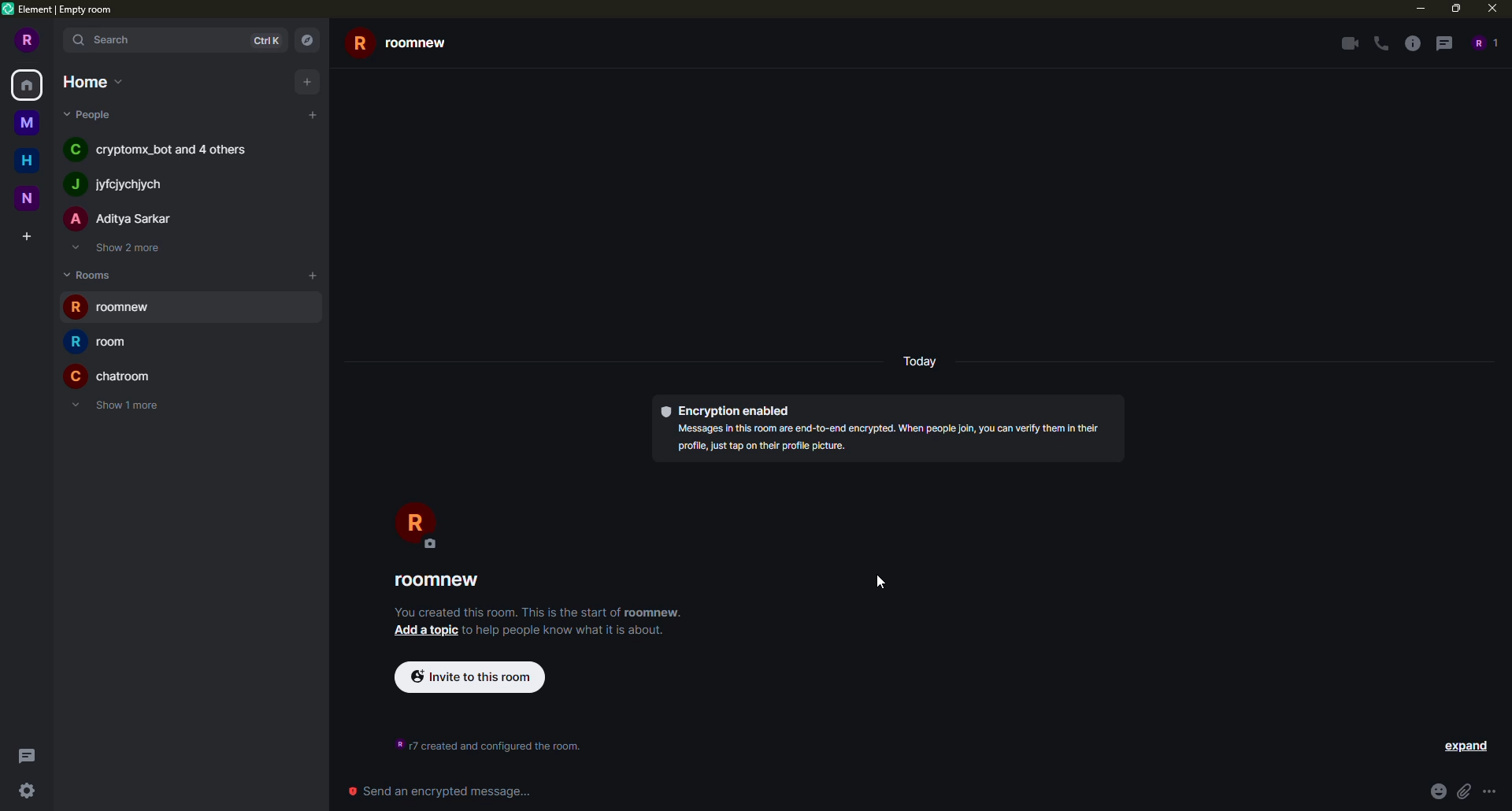 The width and height of the screenshot is (1512, 811). Describe the element at coordinates (167, 148) in the screenshot. I see `people` at that location.